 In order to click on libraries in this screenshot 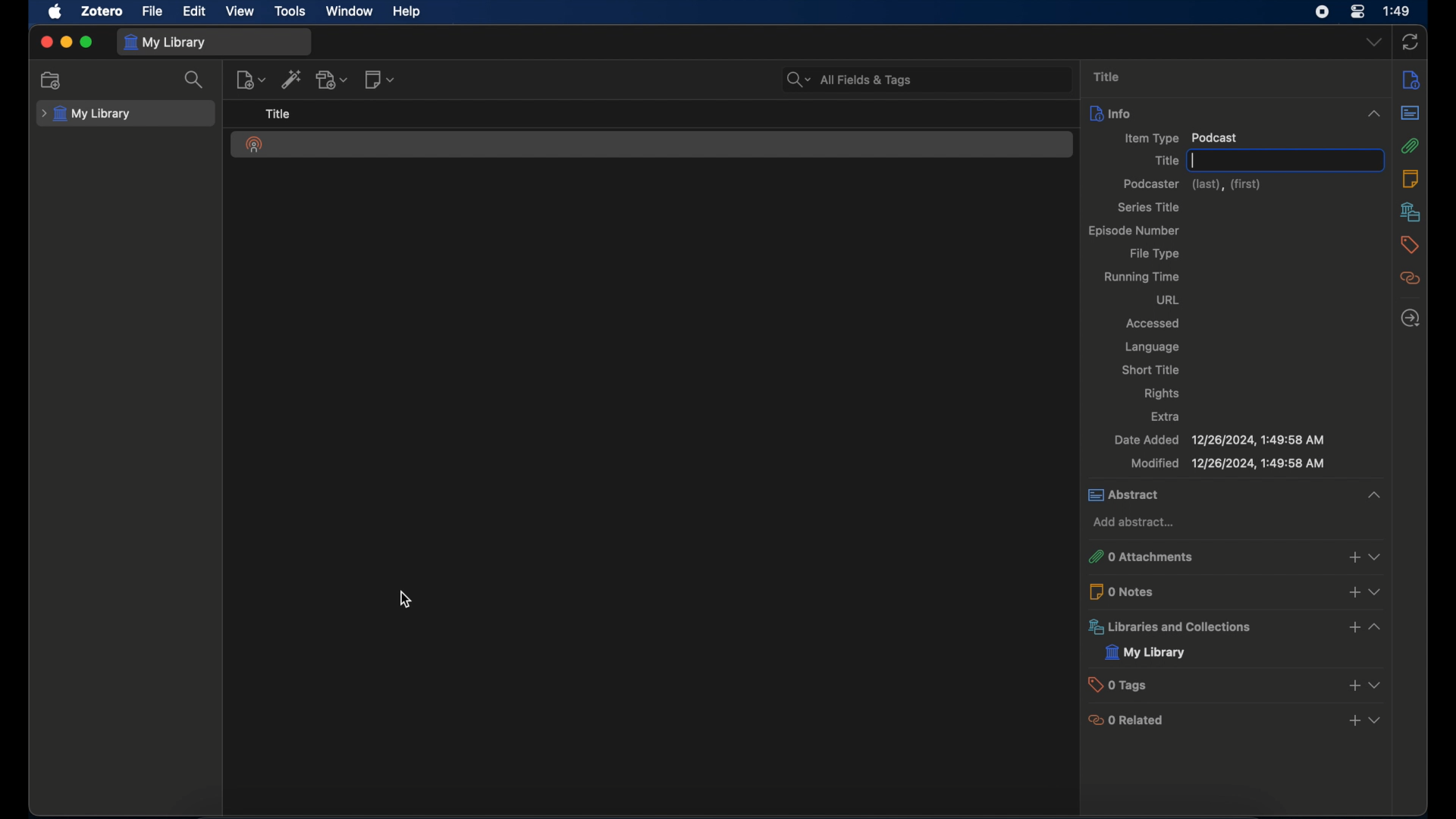, I will do `click(1410, 212)`.